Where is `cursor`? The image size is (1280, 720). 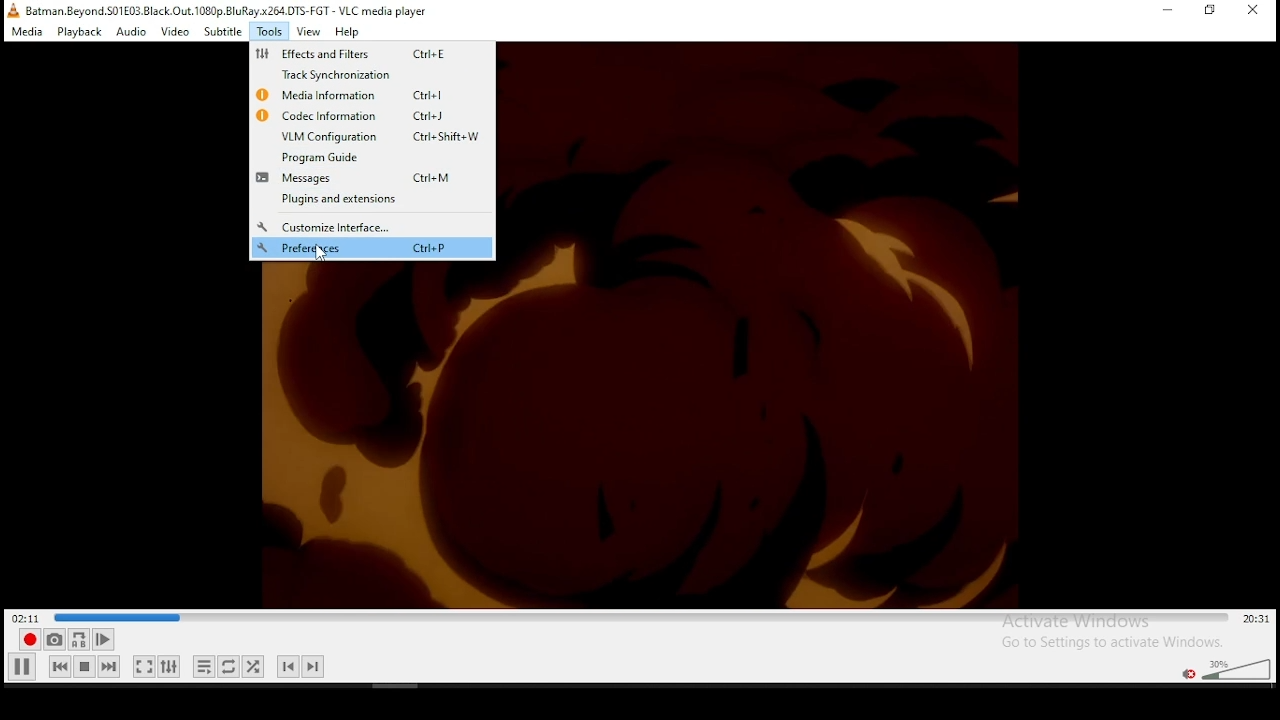 cursor is located at coordinates (322, 253).